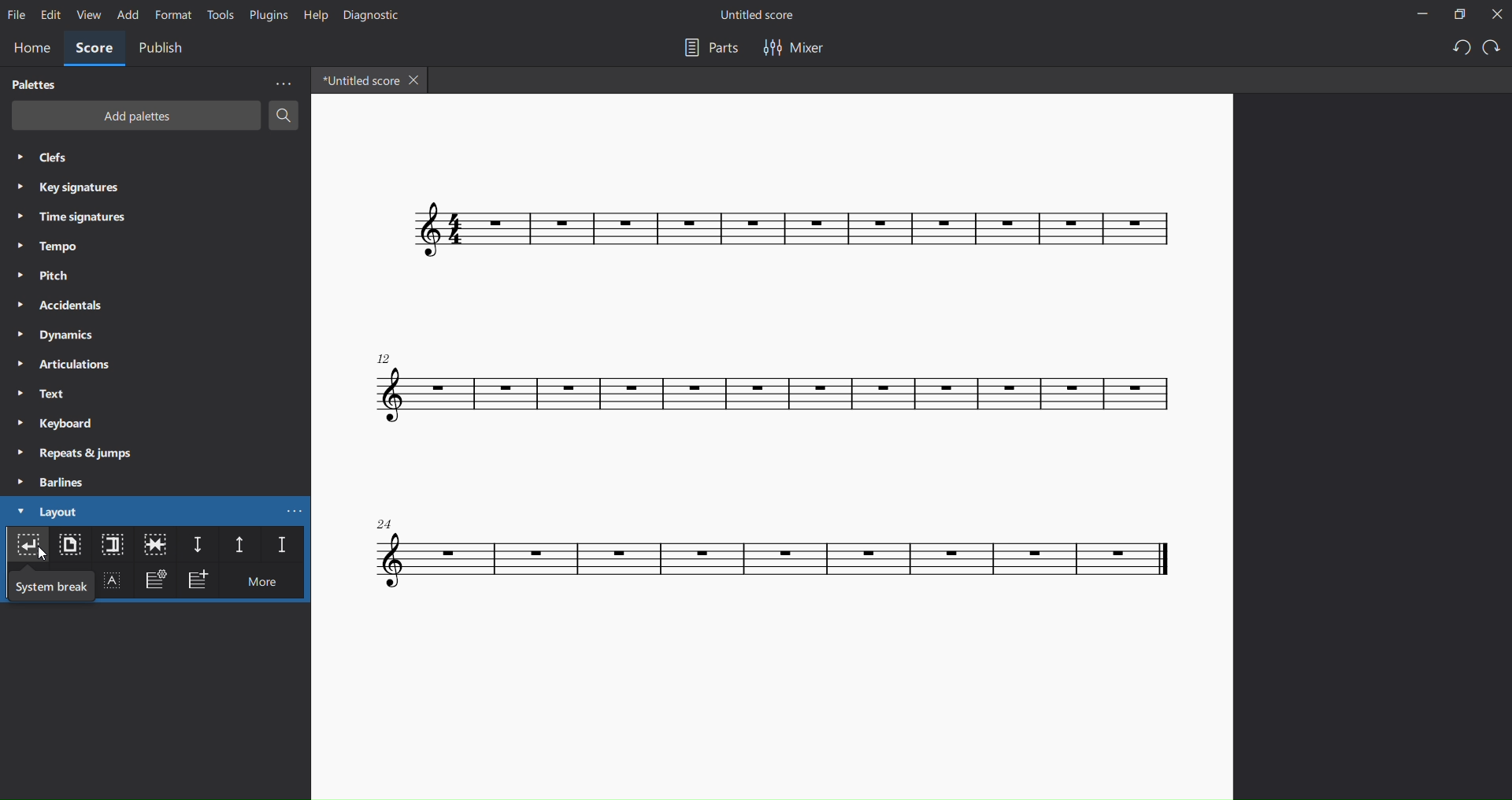 Image resolution: width=1512 pixels, height=800 pixels. I want to click on pitch, so click(50, 276).